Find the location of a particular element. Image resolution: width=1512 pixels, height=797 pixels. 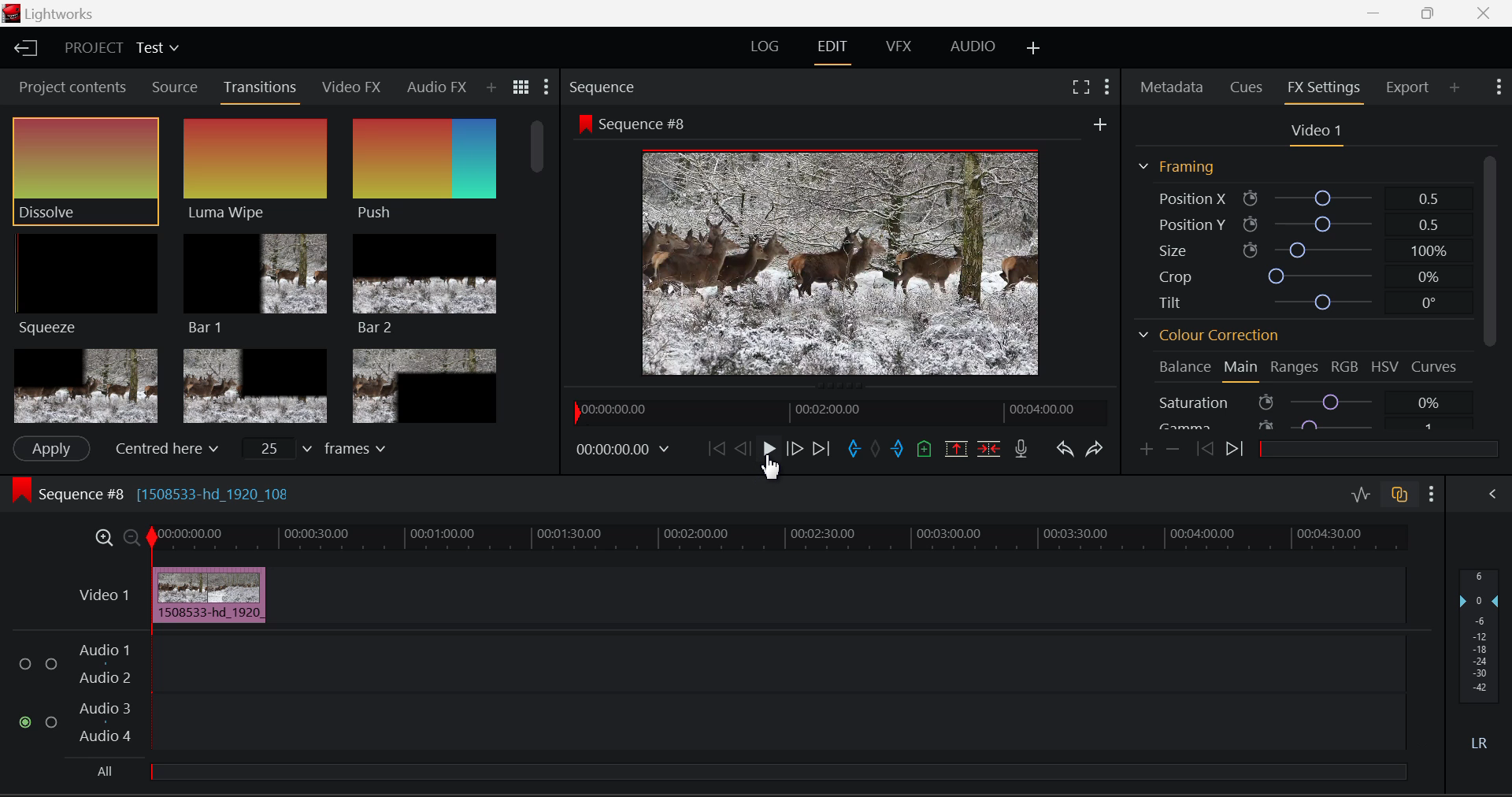

VFX Layout is located at coordinates (902, 48).